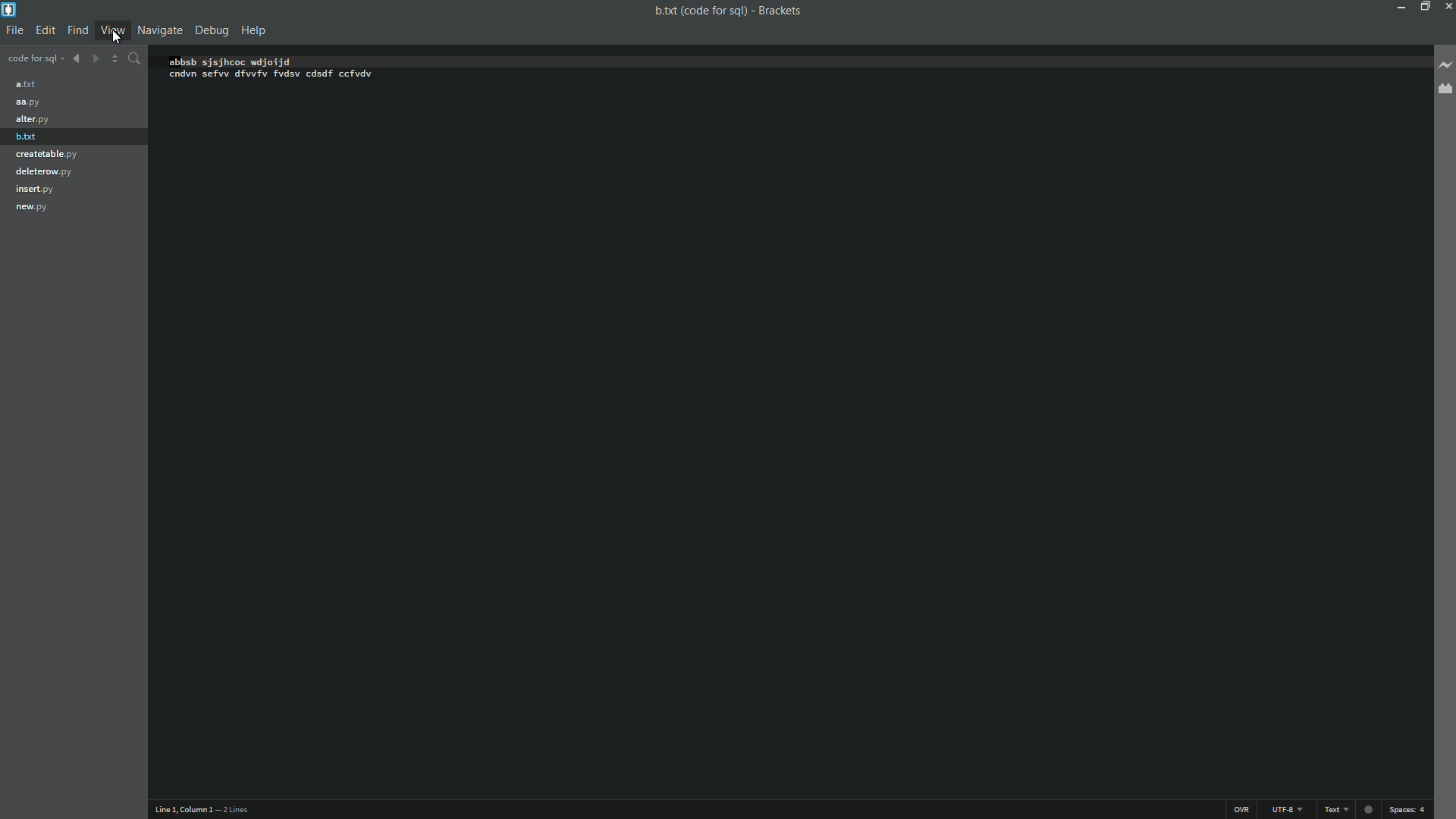 The width and height of the screenshot is (1456, 819). Describe the element at coordinates (700, 11) in the screenshot. I see `File name` at that location.